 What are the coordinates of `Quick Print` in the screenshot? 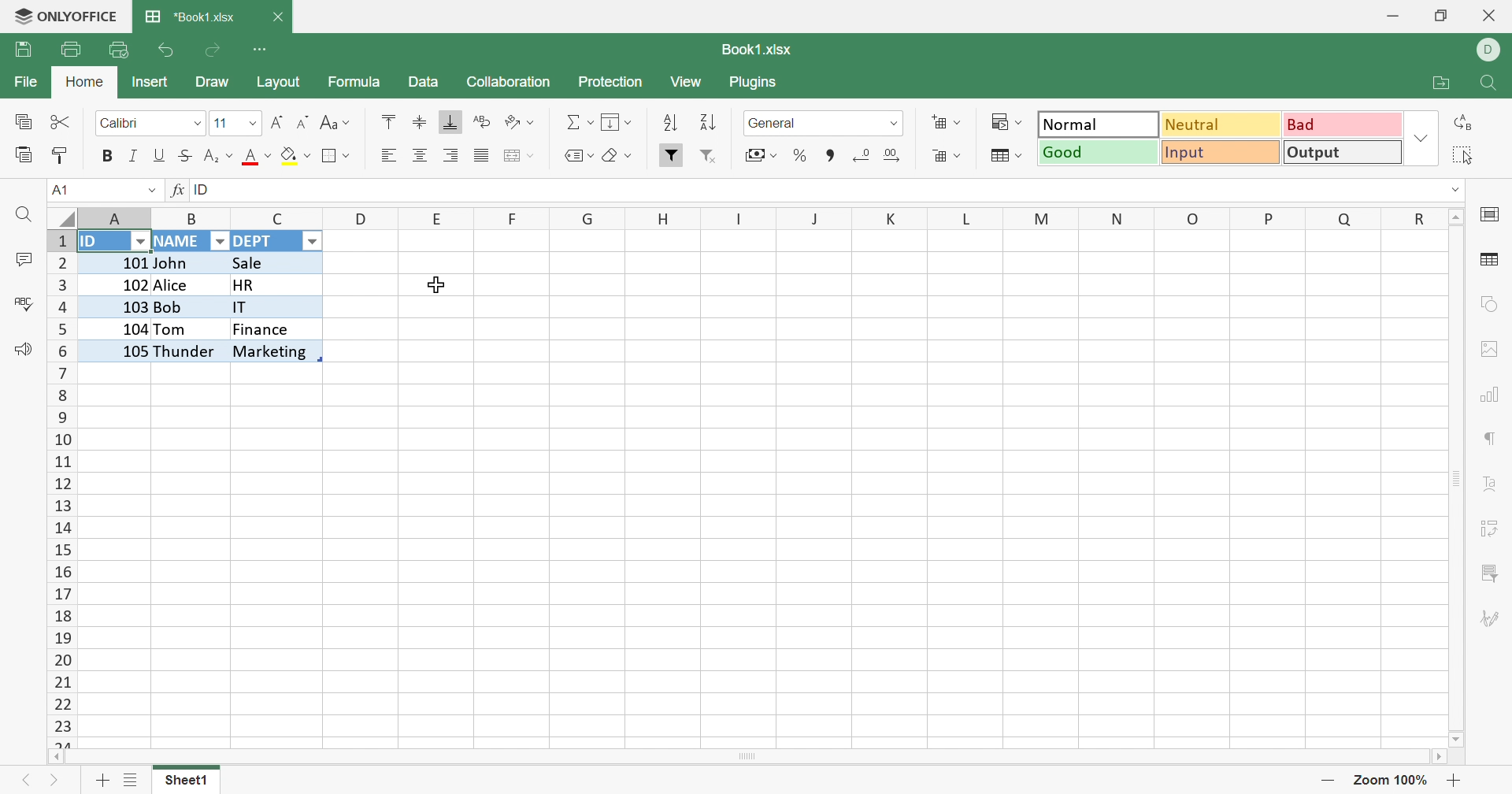 It's located at (117, 50).